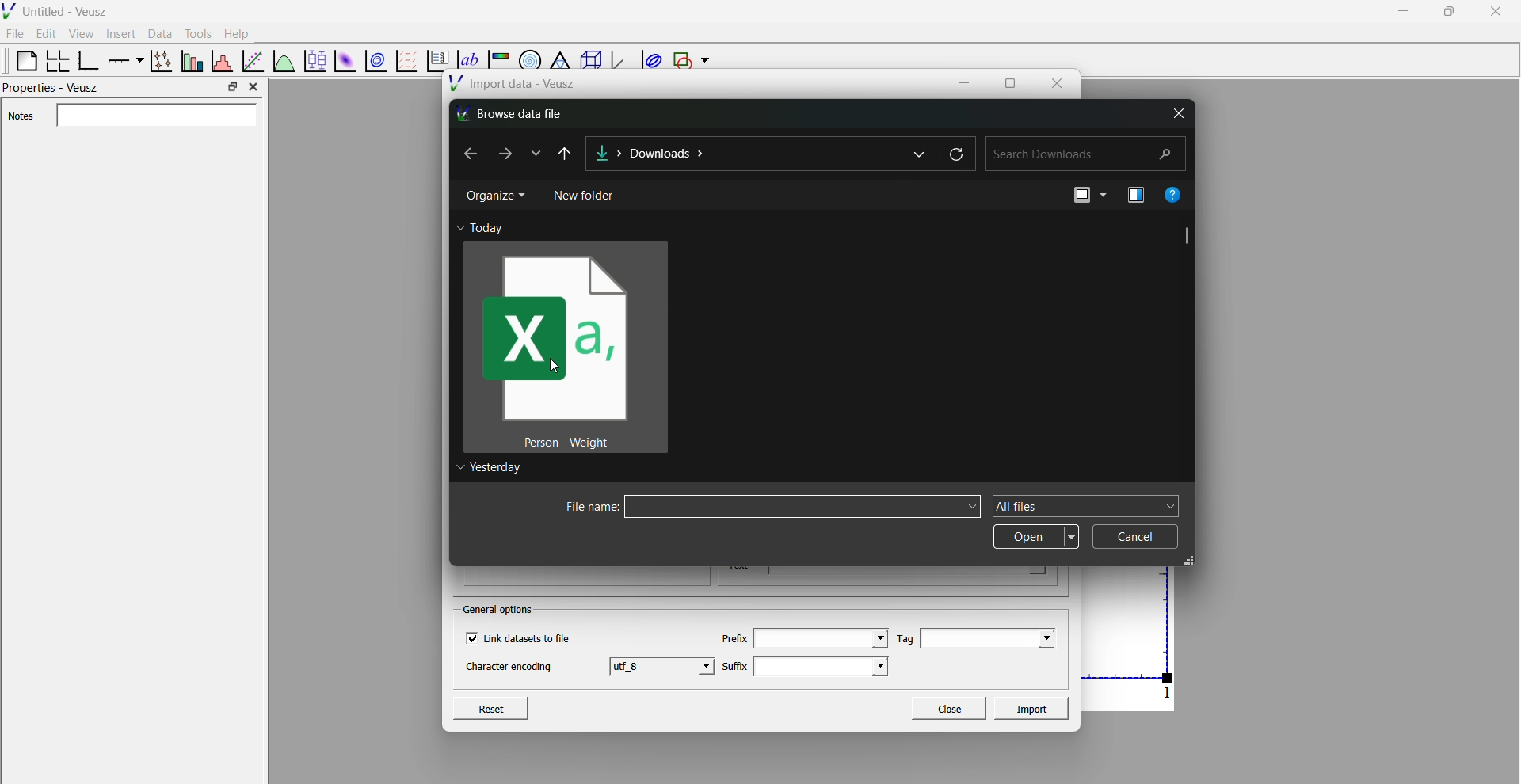  What do you see at coordinates (734, 662) in the screenshot?
I see `Suffix` at bounding box center [734, 662].